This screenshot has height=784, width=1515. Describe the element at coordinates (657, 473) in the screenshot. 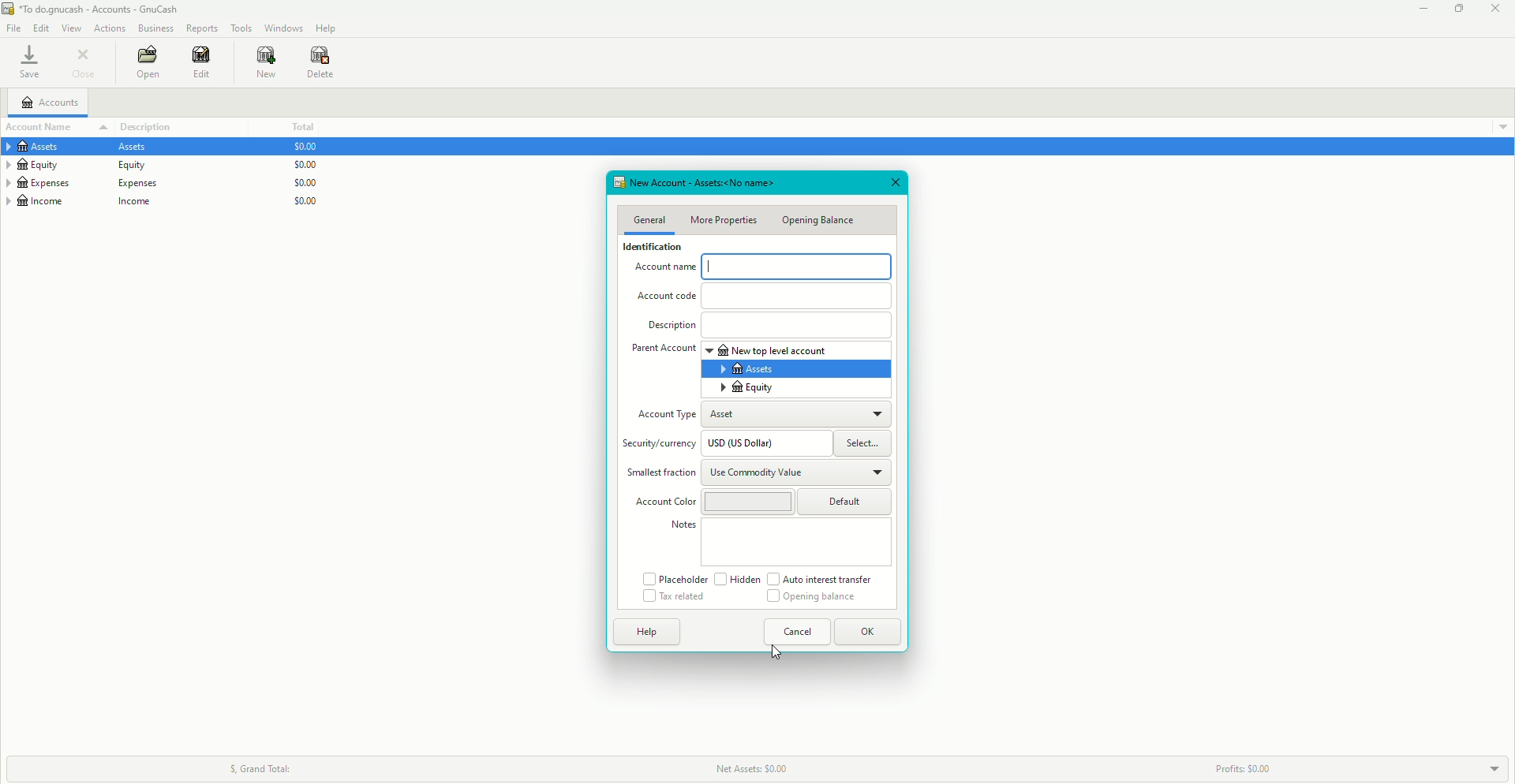

I see `Smallest fraction` at that location.